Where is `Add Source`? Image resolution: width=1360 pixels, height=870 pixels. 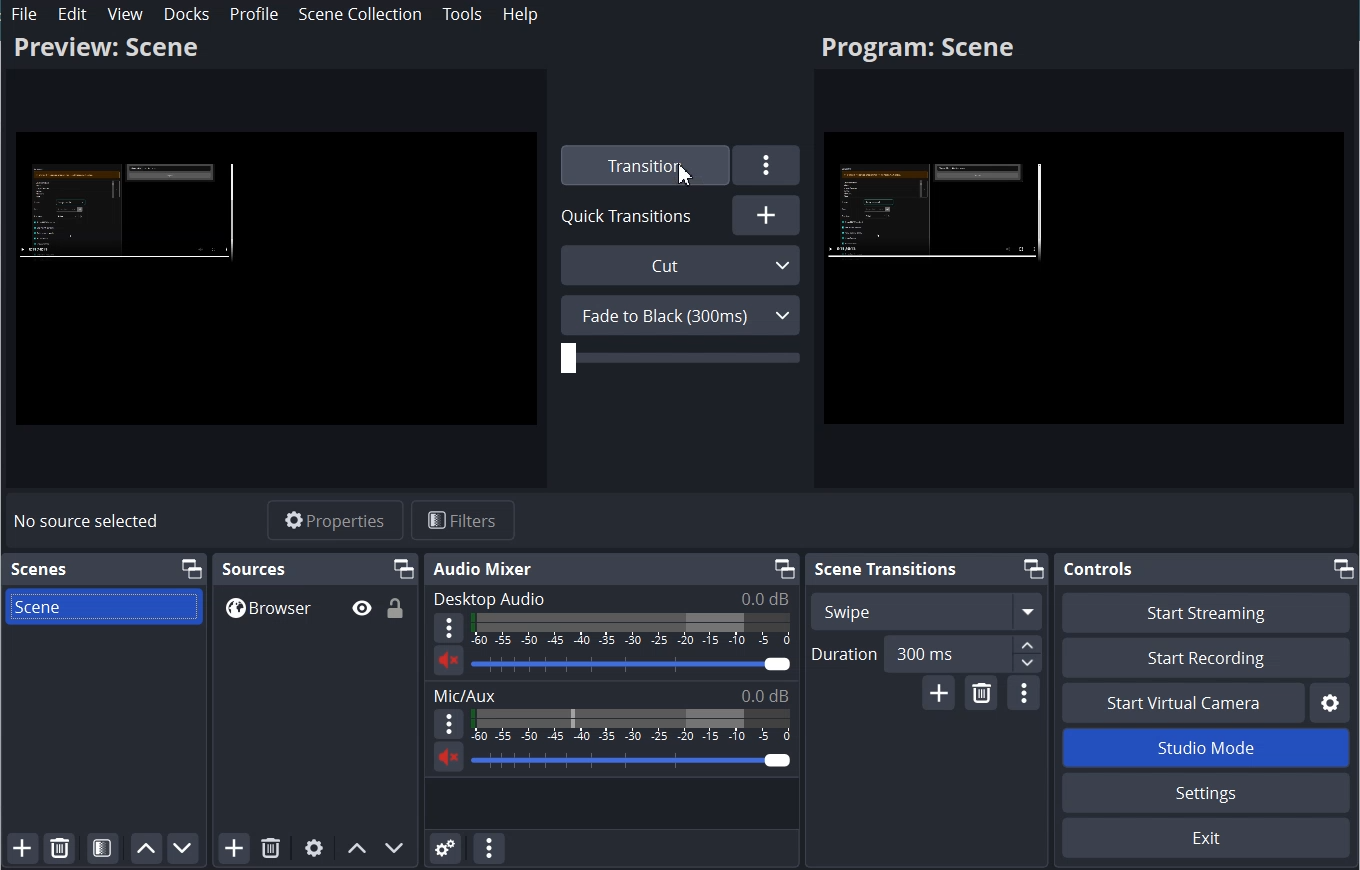 Add Source is located at coordinates (233, 848).